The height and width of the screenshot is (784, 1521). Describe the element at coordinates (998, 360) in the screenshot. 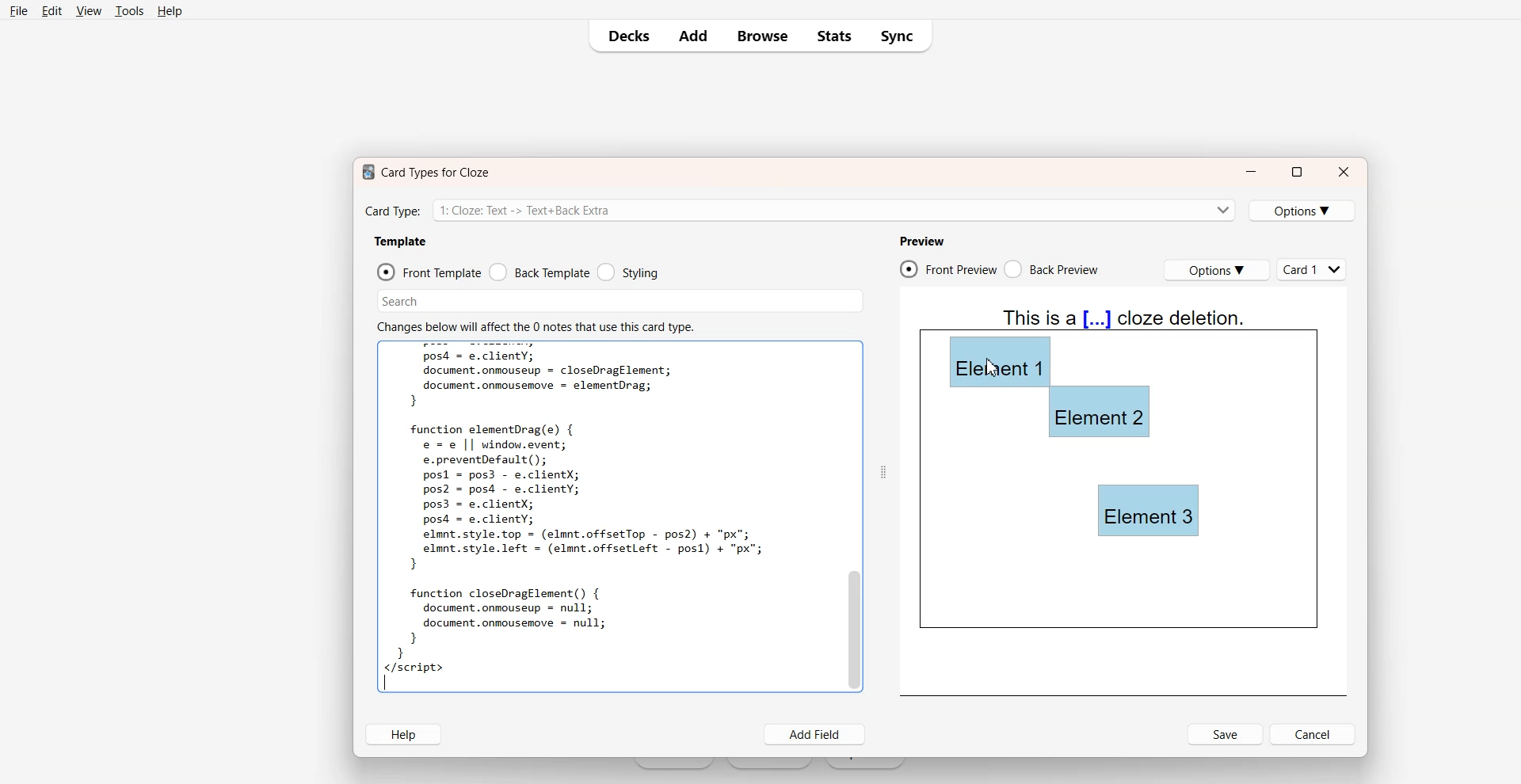

I see `Element 1` at that location.